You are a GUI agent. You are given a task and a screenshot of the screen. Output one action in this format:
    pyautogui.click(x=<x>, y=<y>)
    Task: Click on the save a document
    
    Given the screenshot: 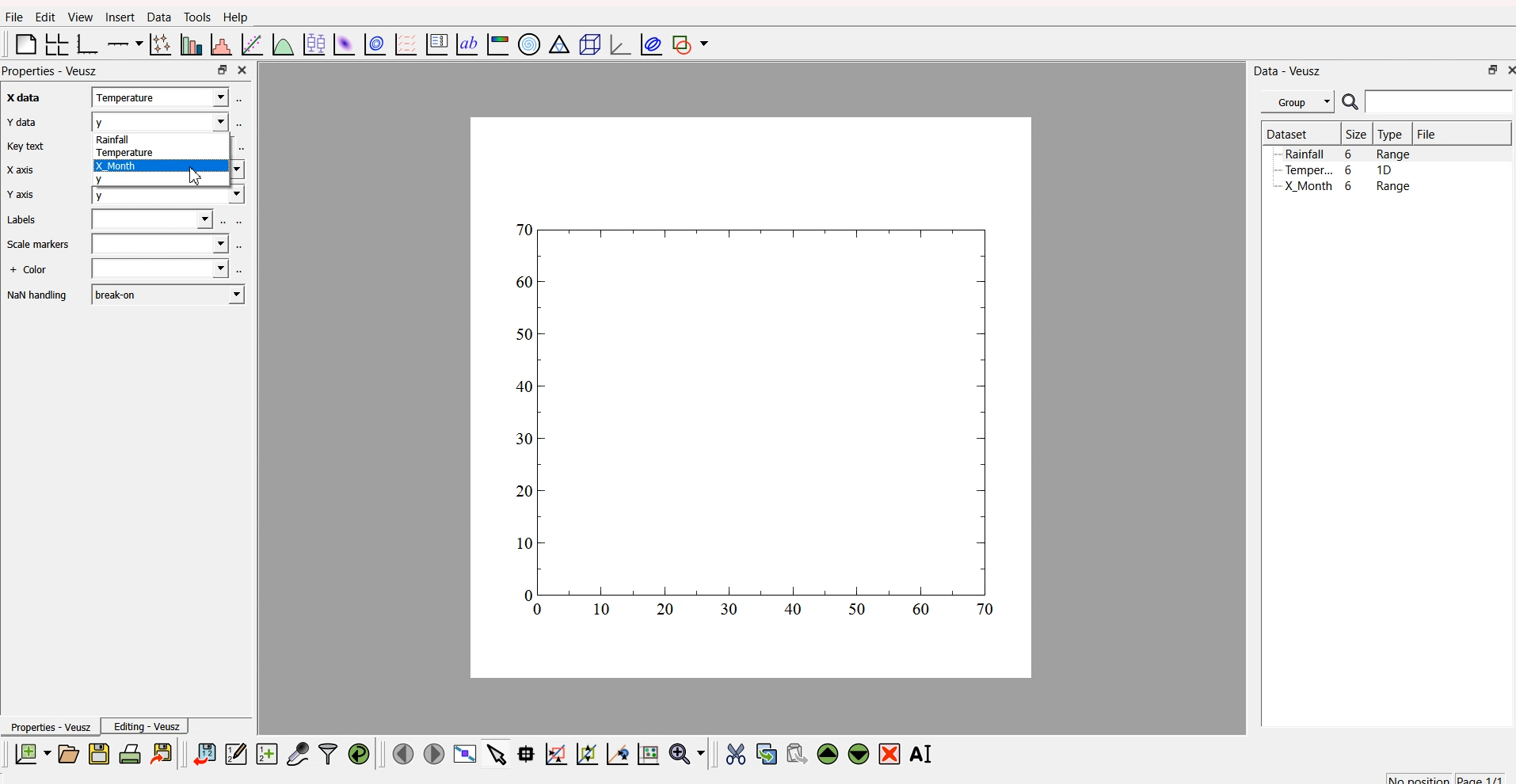 What is the action you would take?
    pyautogui.click(x=97, y=753)
    